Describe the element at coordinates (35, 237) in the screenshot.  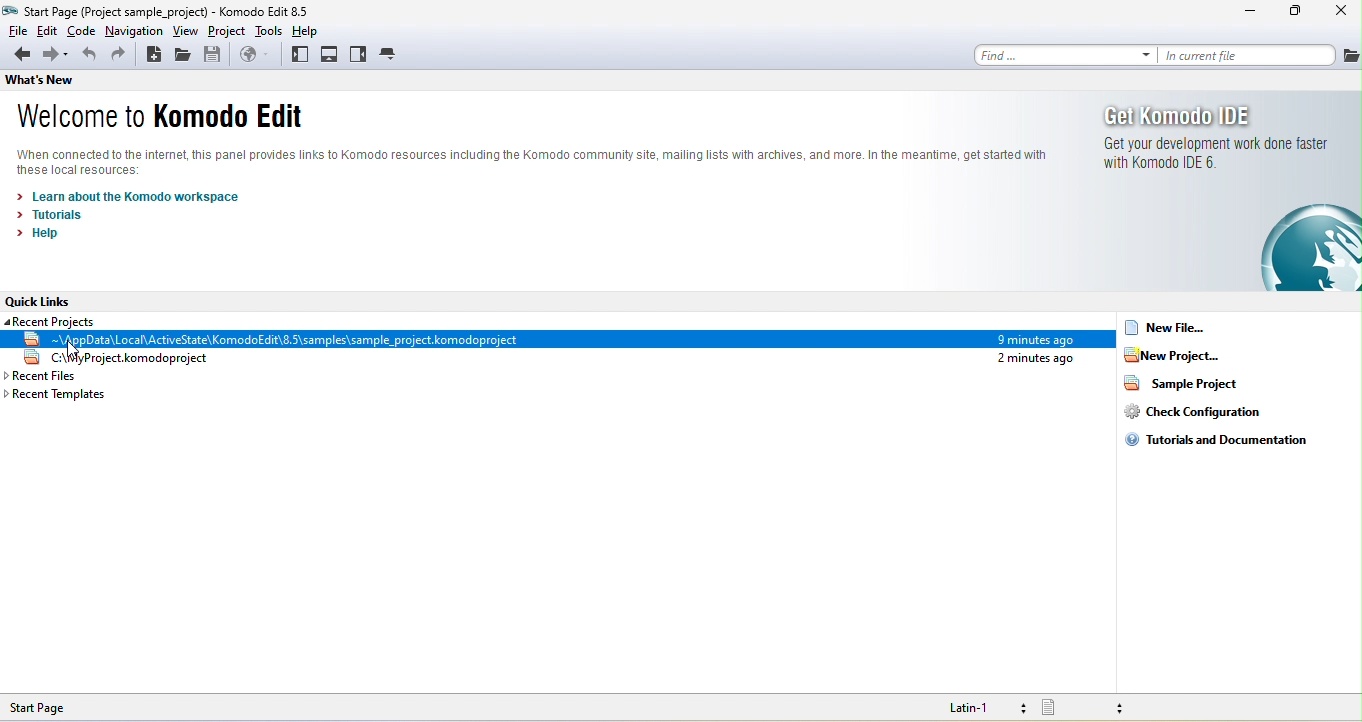
I see `help` at that location.